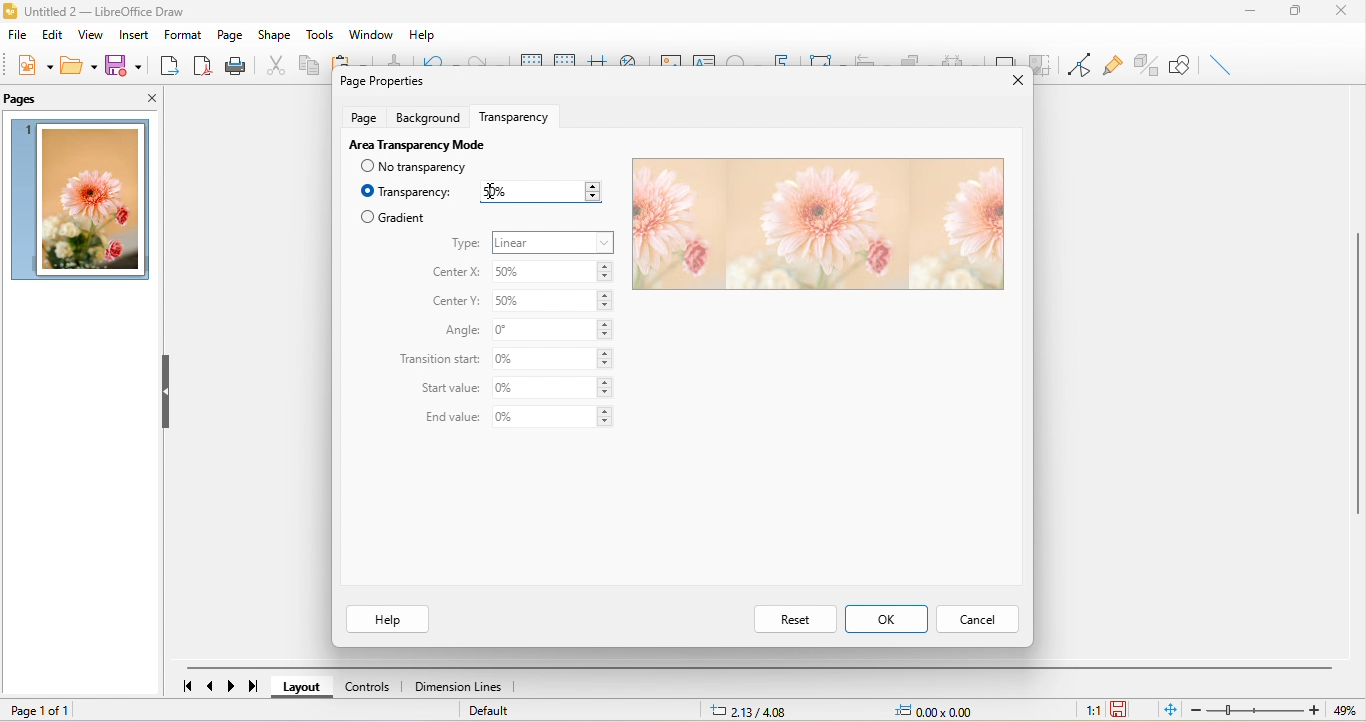 This screenshot has width=1366, height=722. What do you see at coordinates (122, 64) in the screenshot?
I see `save` at bounding box center [122, 64].